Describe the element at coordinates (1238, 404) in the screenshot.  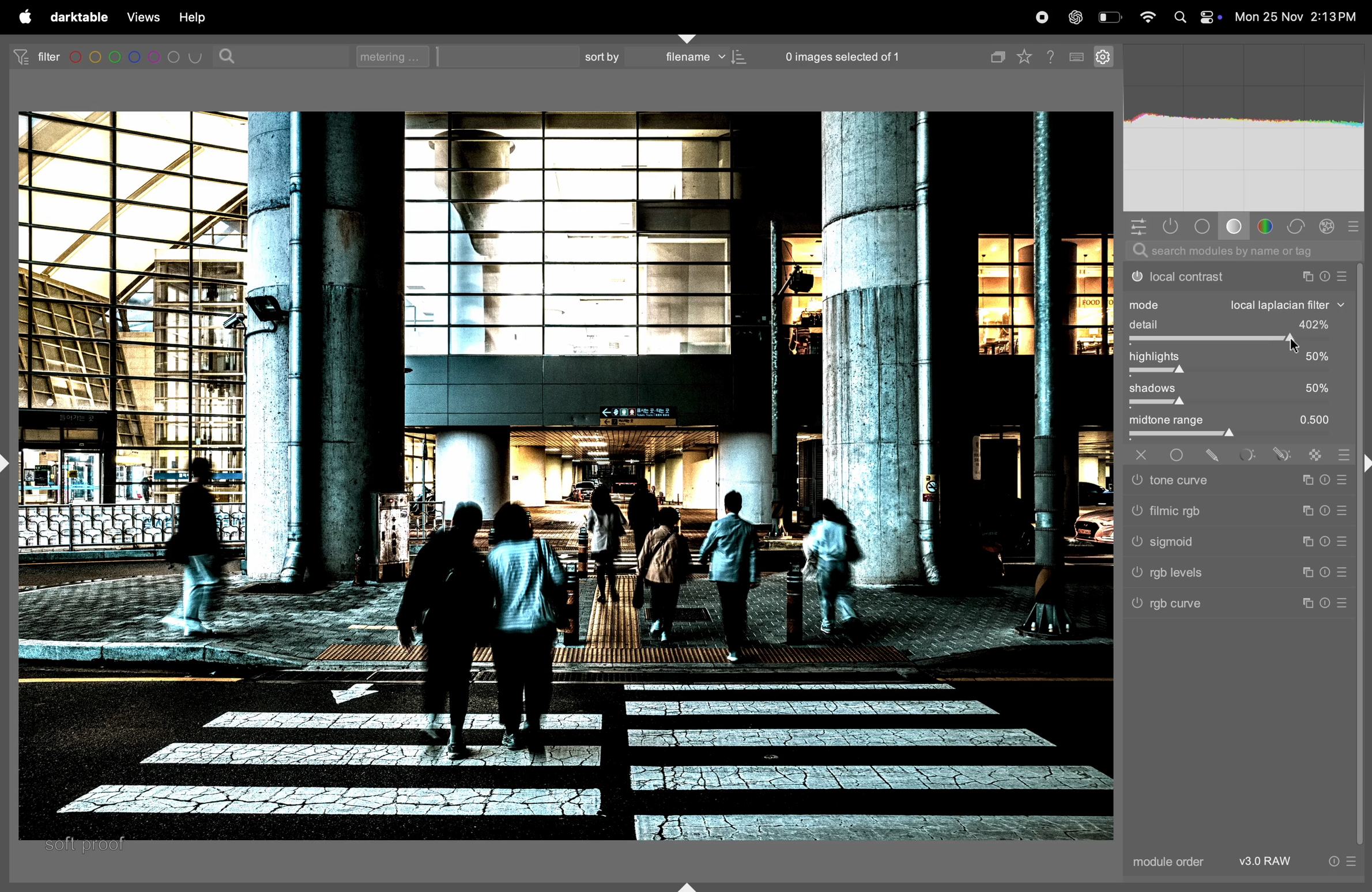
I see `toggle` at that location.